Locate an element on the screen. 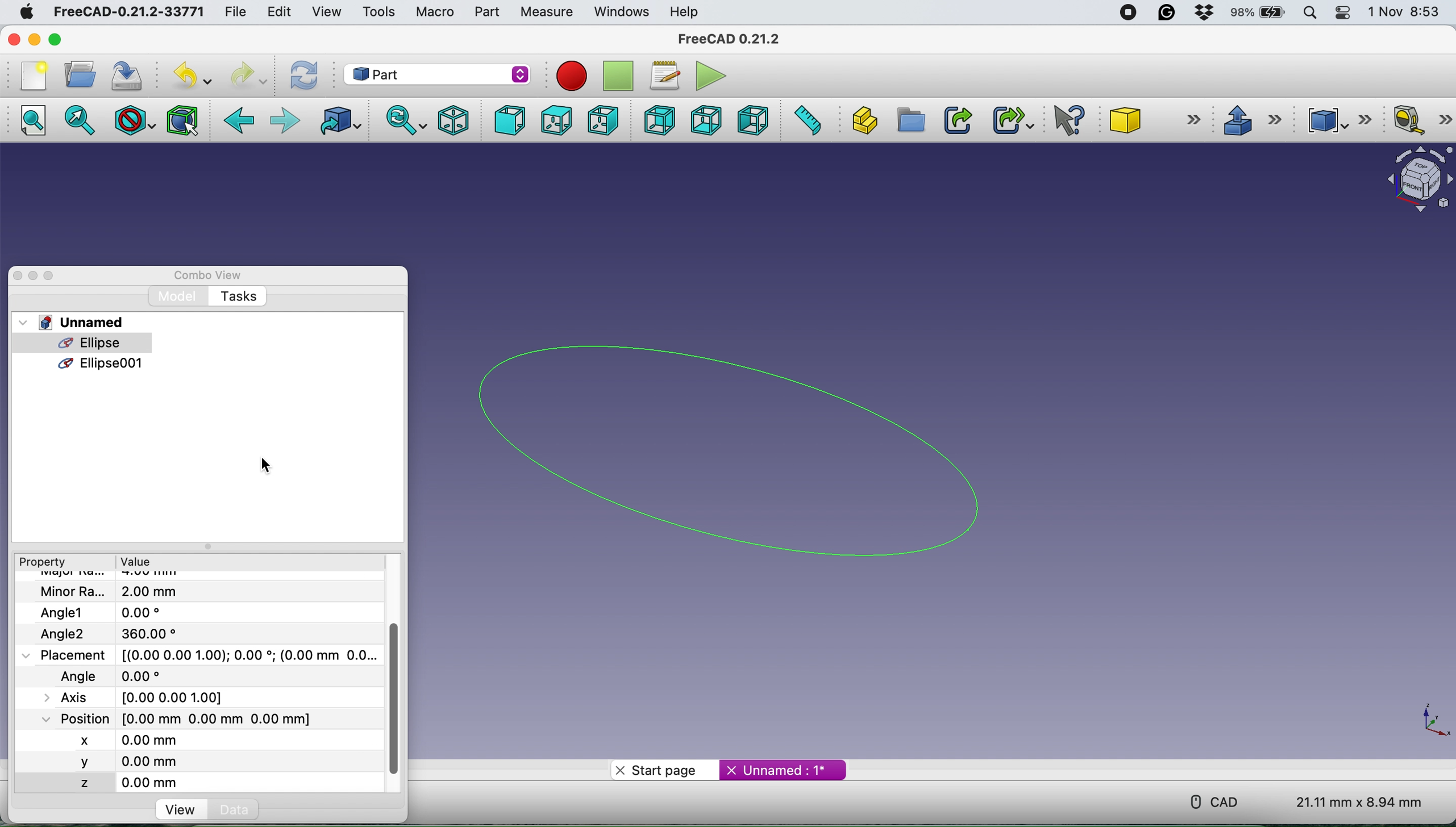 This screenshot has height=827, width=1456. windows is located at coordinates (618, 11).